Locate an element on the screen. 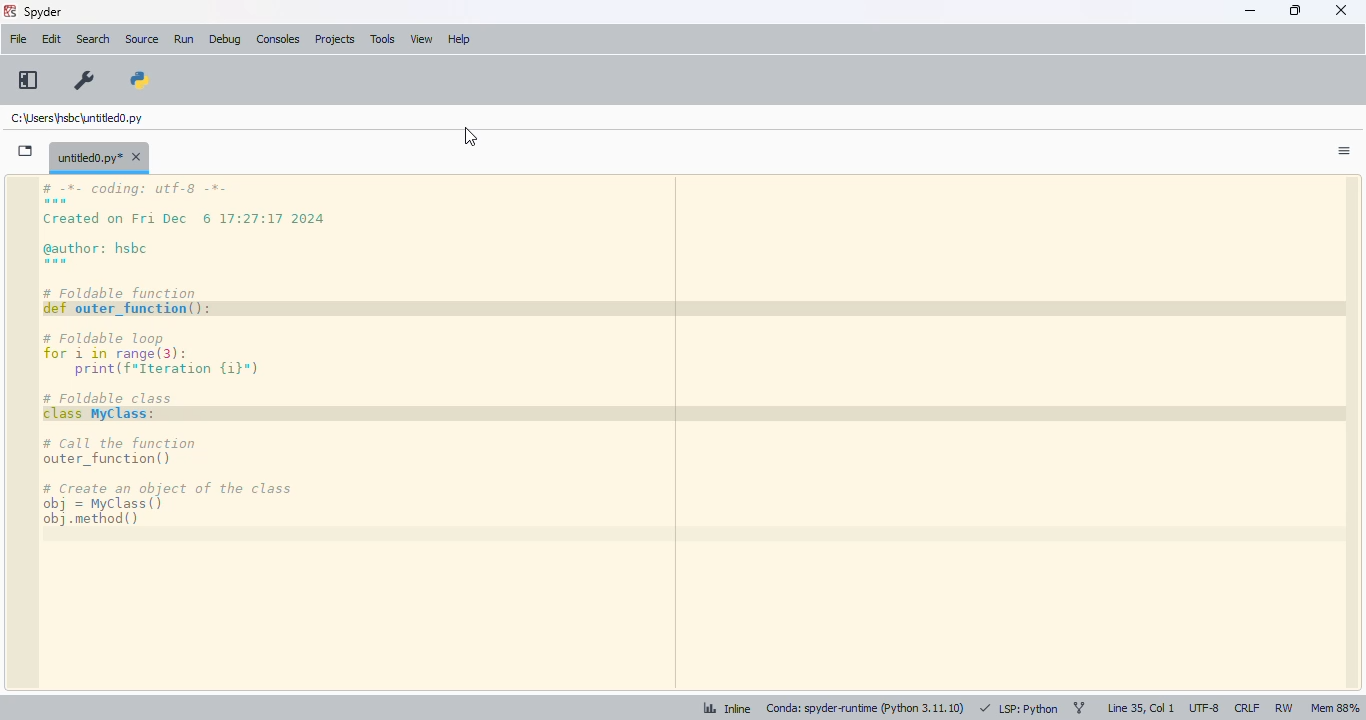 This screenshot has width=1366, height=720. mem 88% is located at coordinates (1334, 708).